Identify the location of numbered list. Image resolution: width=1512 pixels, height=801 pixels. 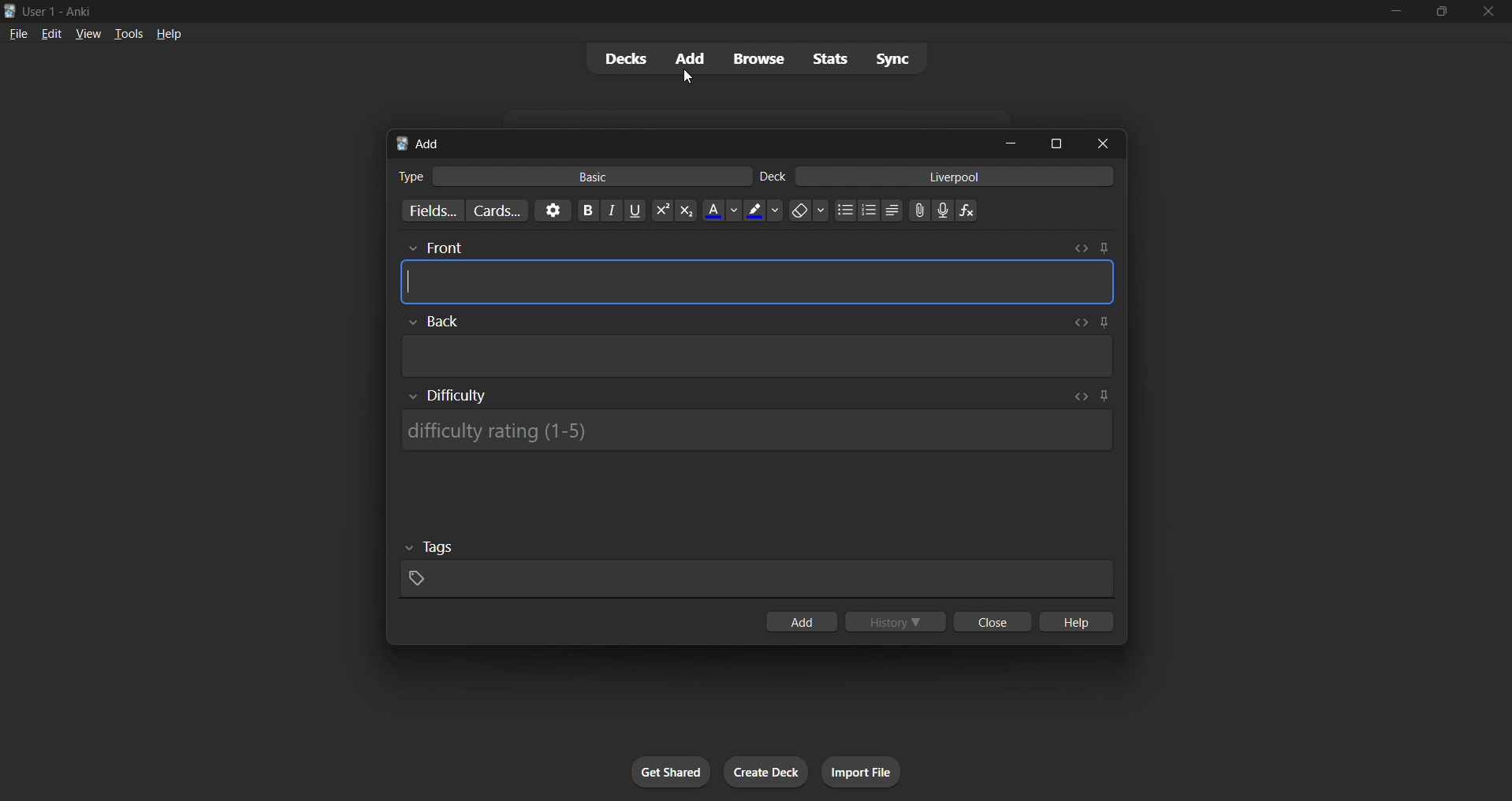
(870, 212).